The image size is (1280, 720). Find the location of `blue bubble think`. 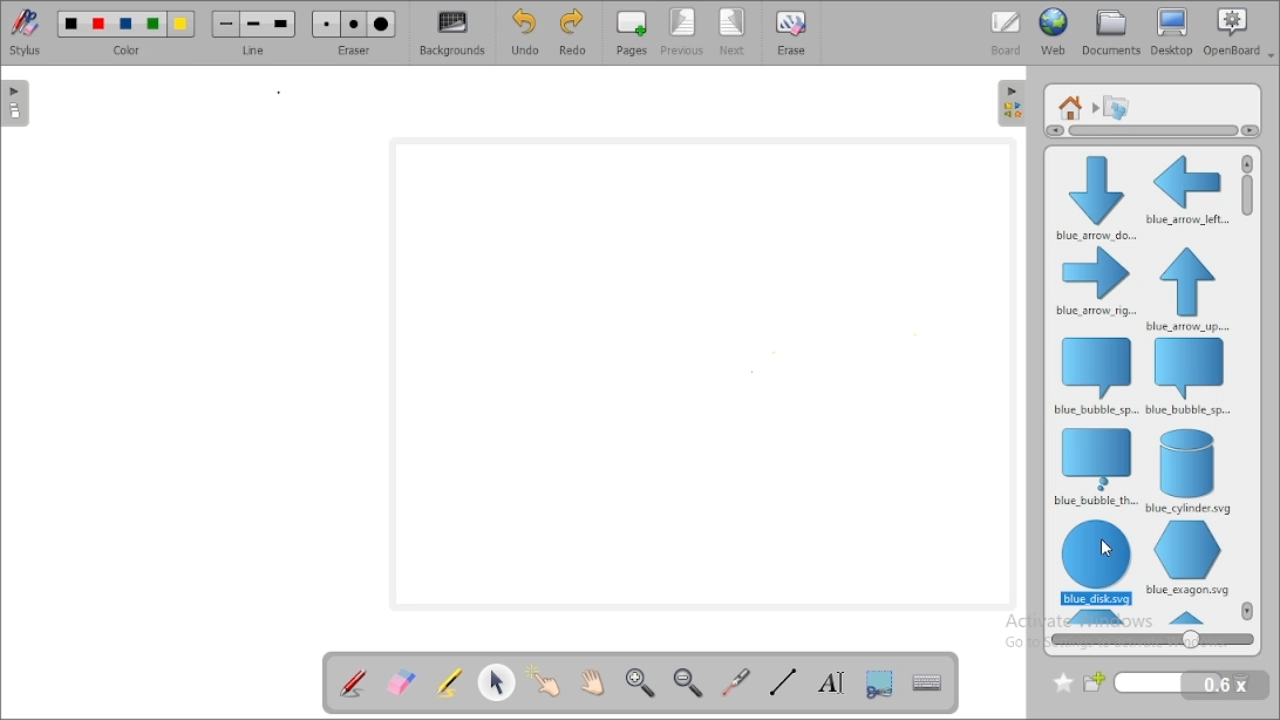

blue bubble think is located at coordinates (1094, 467).